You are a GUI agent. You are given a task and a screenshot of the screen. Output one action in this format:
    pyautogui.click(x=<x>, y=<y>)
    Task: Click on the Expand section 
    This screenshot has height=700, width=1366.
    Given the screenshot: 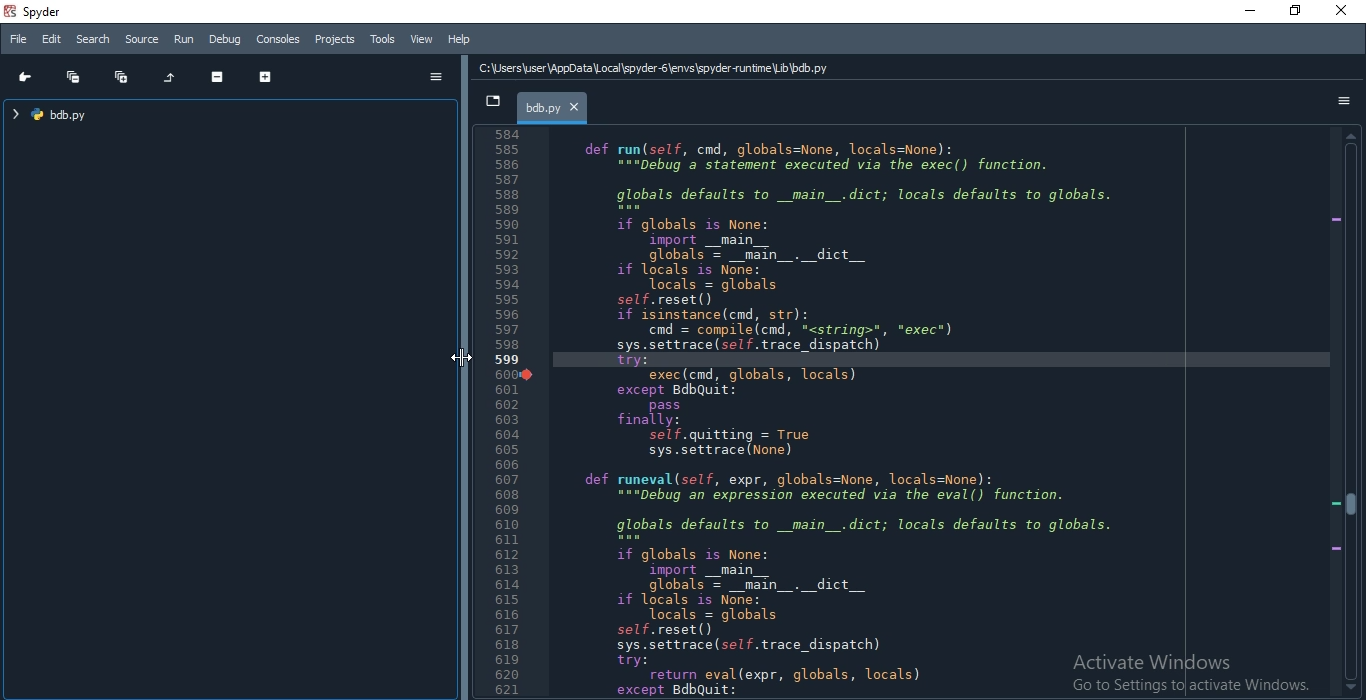 What is the action you would take?
    pyautogui.click(x=263, y=75)
    